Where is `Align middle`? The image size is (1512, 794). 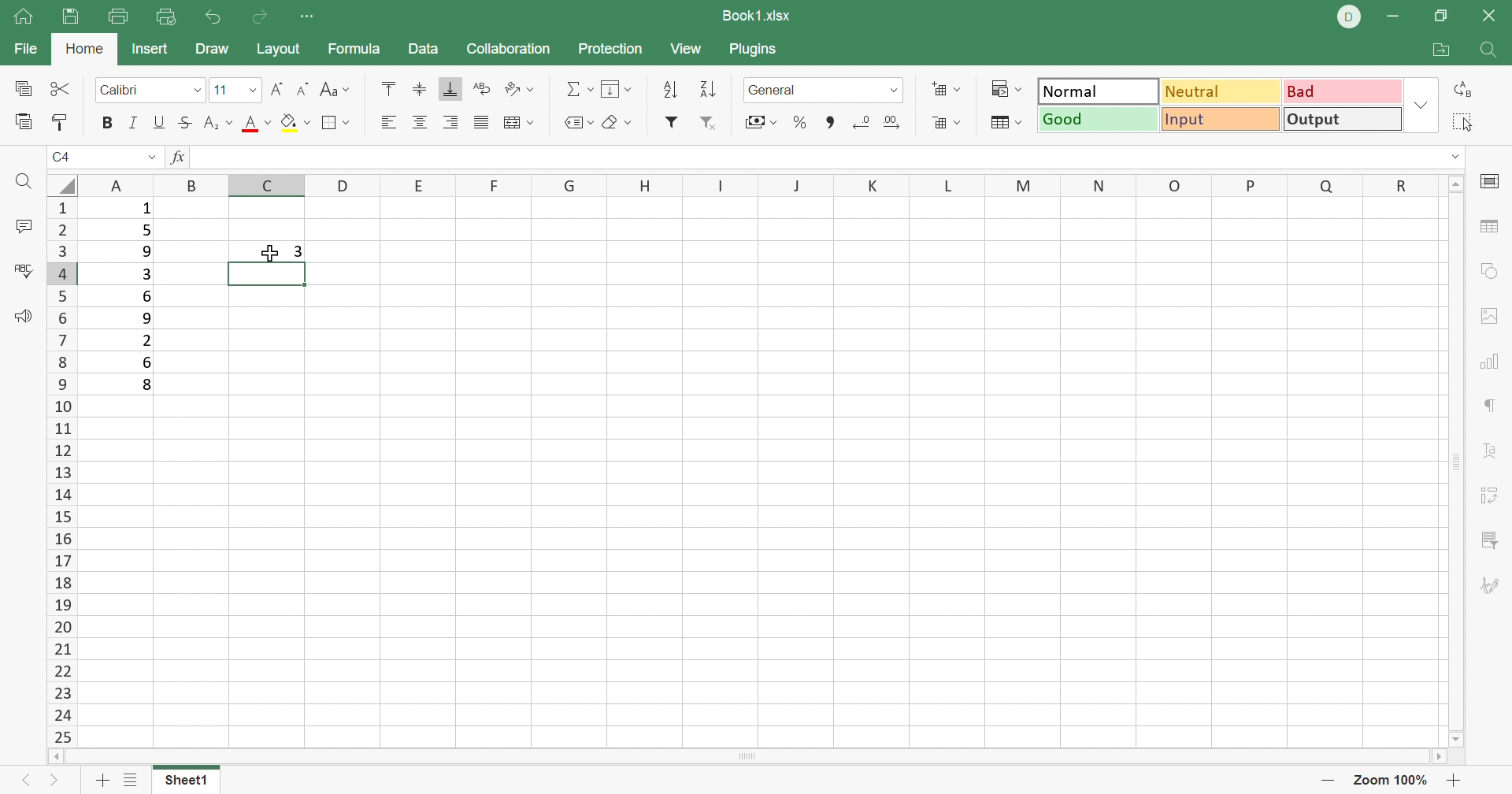
Align middle is located at coordinates (419, 87).